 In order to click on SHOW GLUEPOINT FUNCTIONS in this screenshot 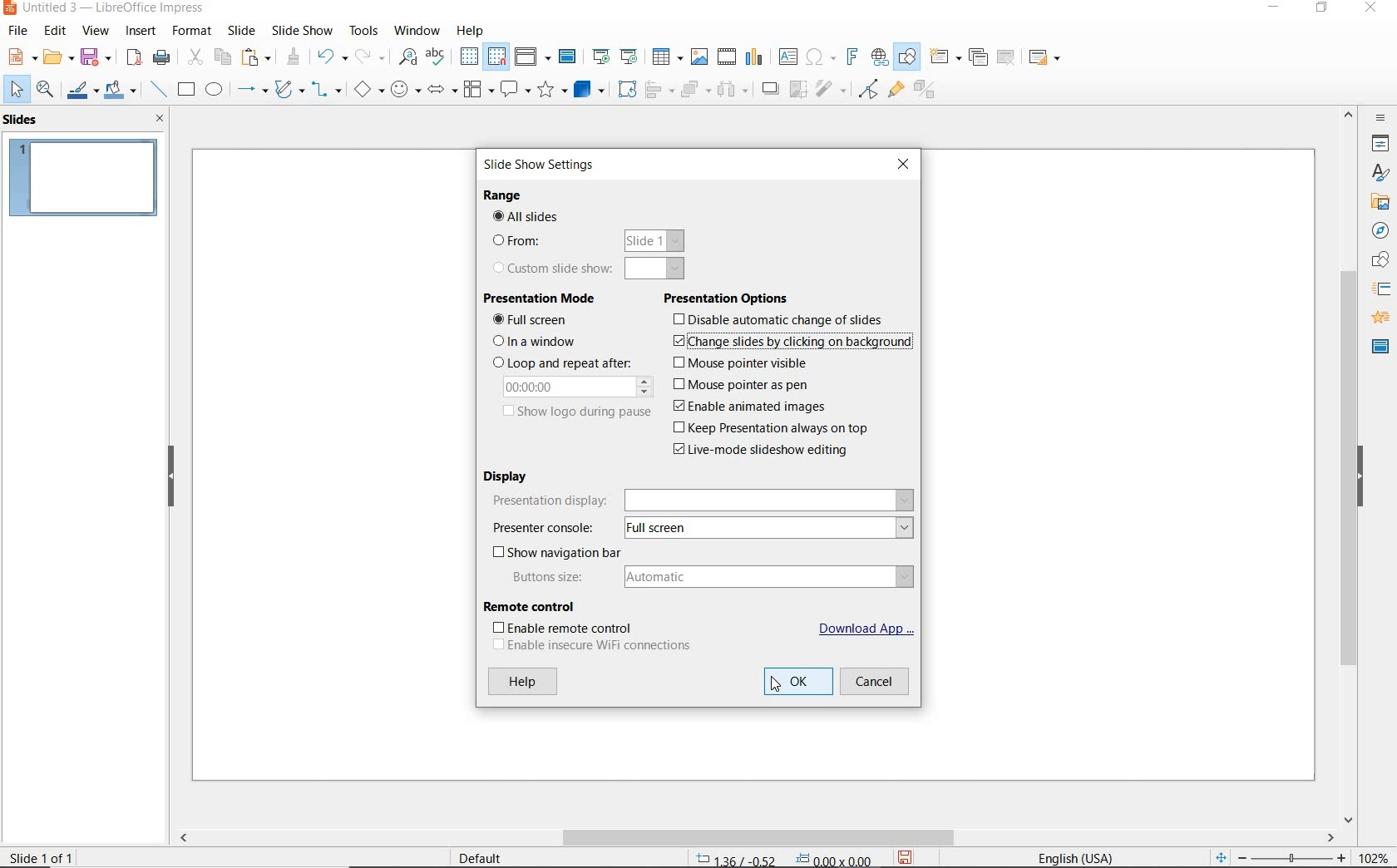, I will do `click(896, 90)`.